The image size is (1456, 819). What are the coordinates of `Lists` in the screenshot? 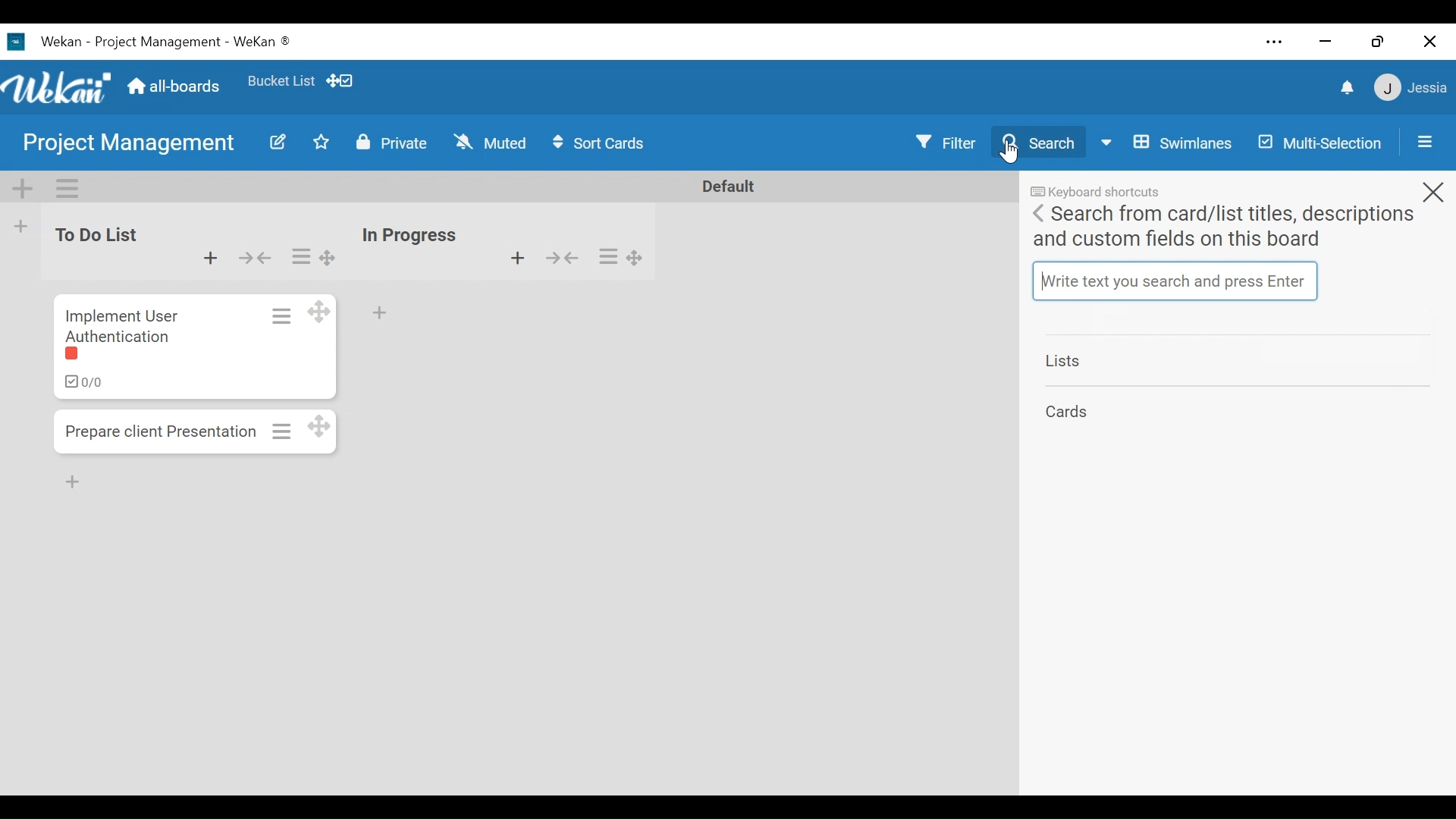 It's located at (1065, 361).